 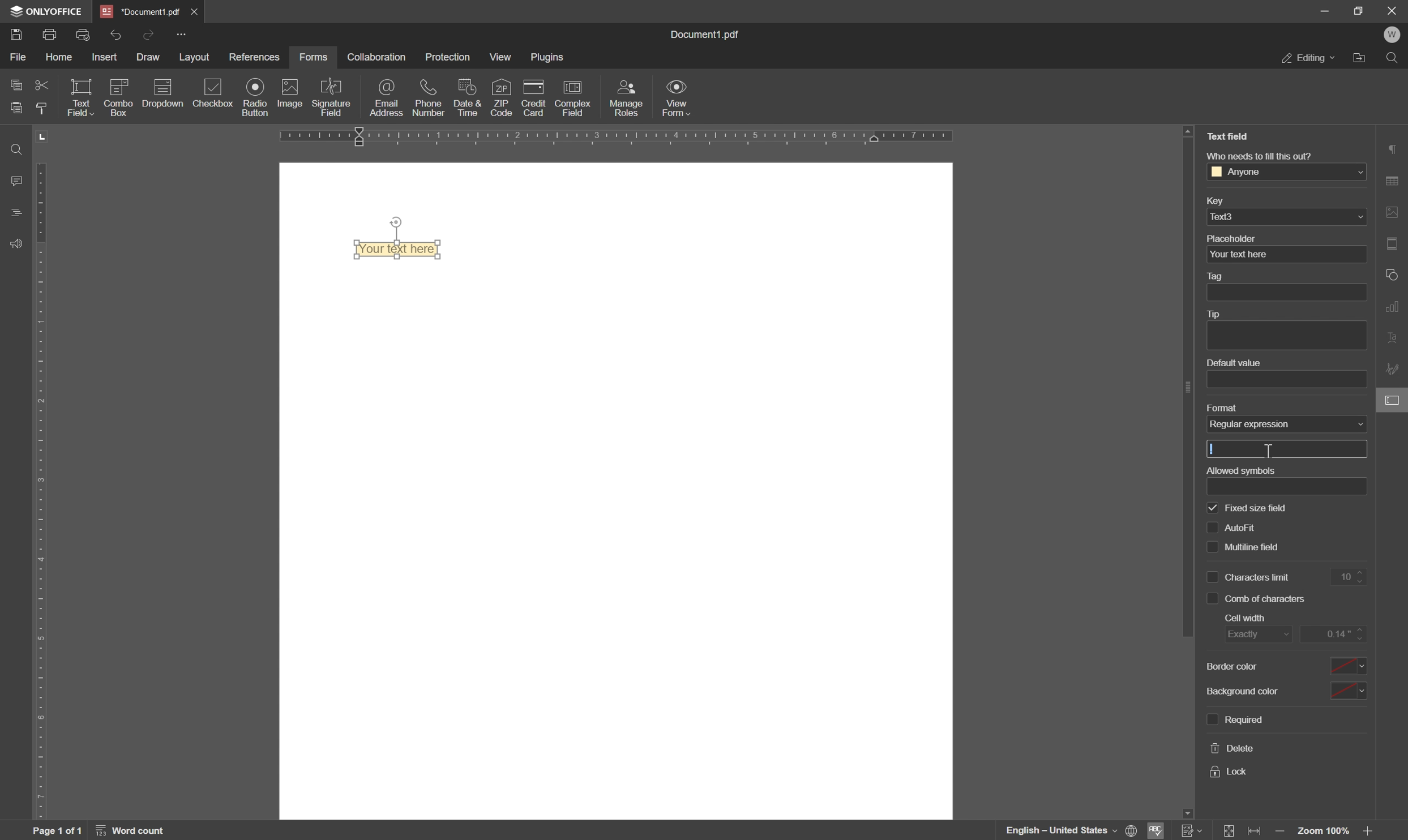 What do you see at coordinates (1214, 507) in the screenshot?
I see `checkbox` at bounding box center [1214, 507].